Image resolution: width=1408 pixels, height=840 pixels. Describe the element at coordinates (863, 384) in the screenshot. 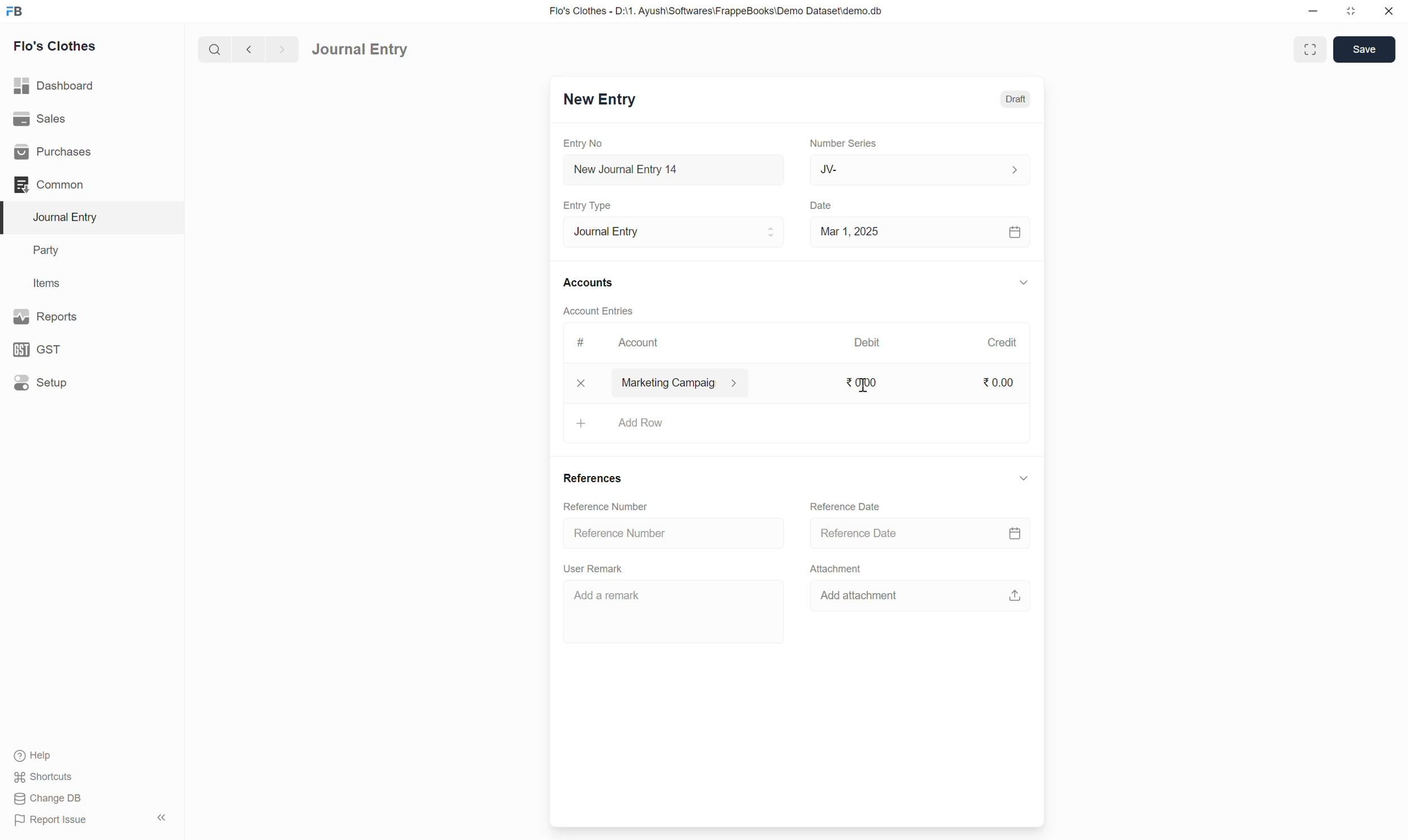

I see `cursor` at that location.